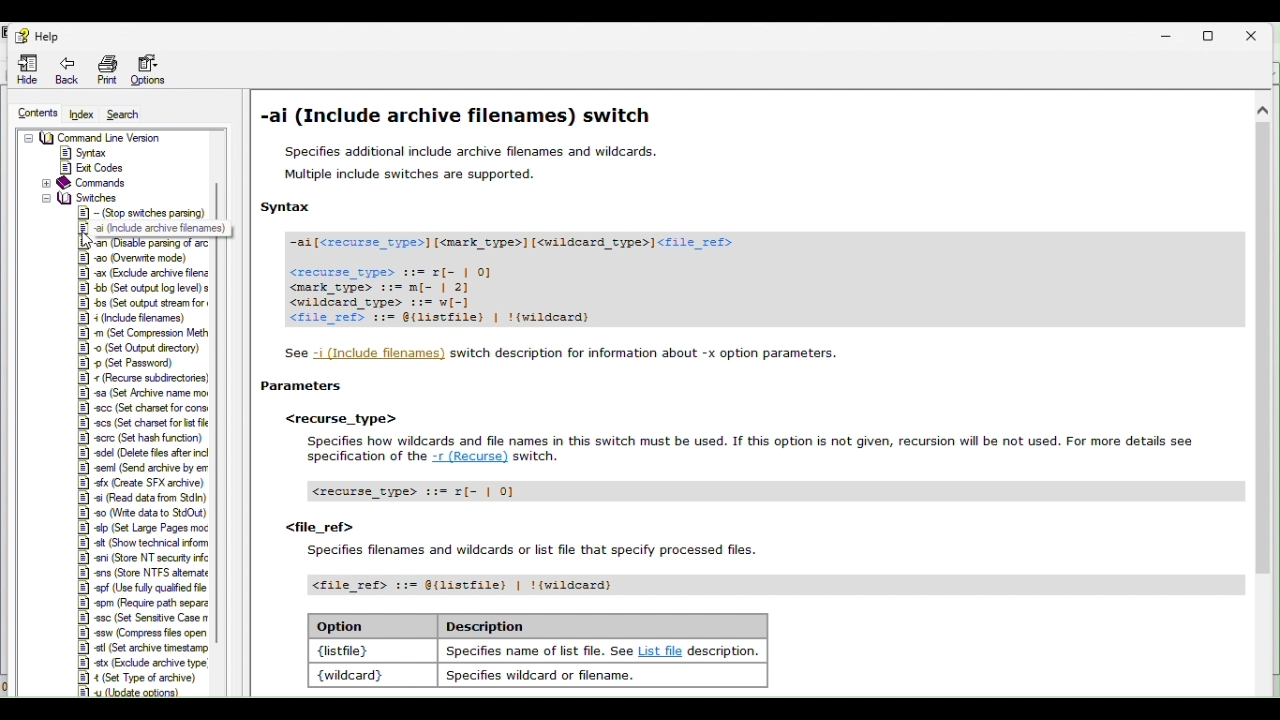  Describe the element at coordinates (1261, 33) in the screenshot. I see `Close` at that location.